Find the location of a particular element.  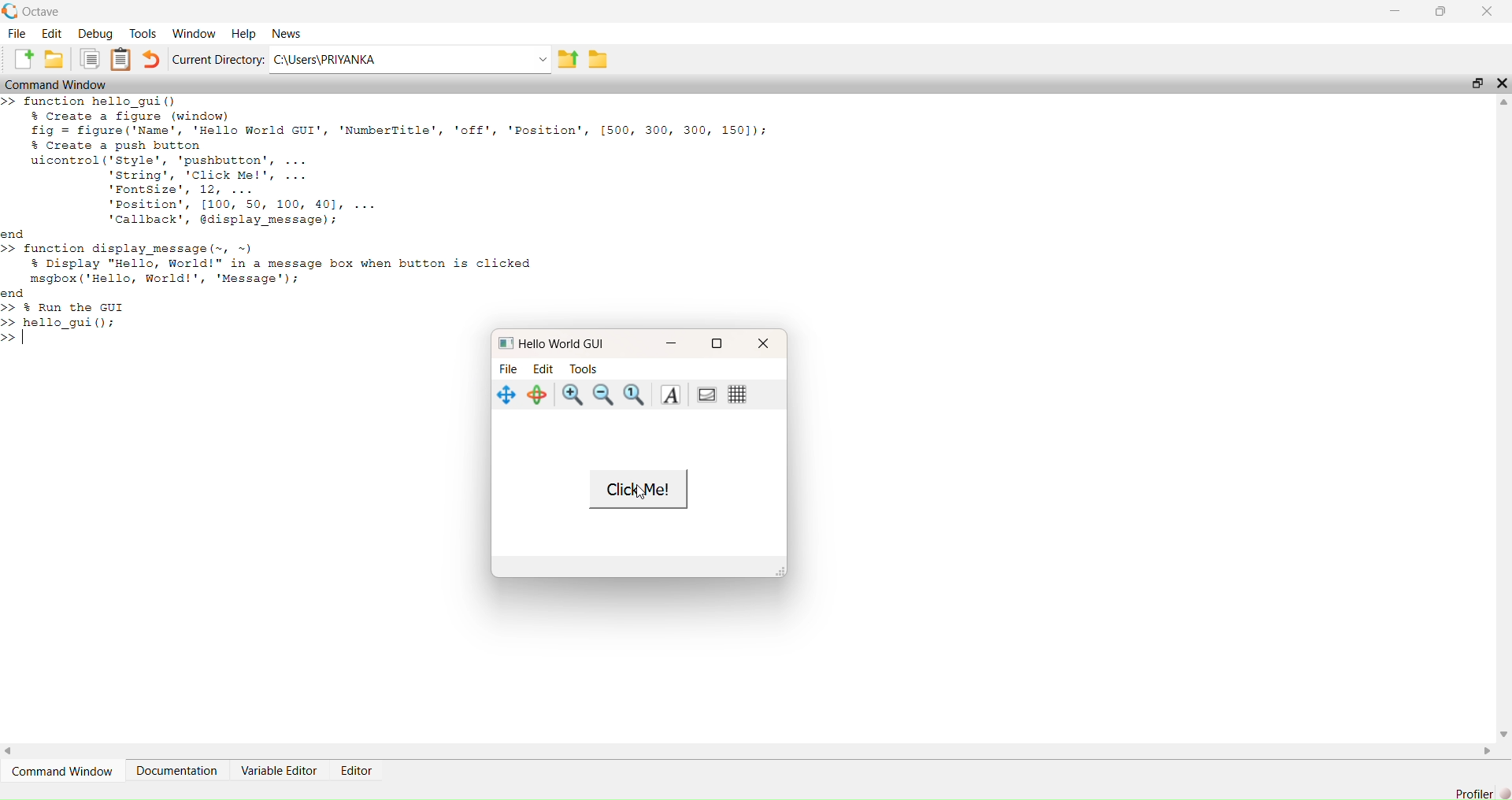

minimise is located at coordinates (669, 342).